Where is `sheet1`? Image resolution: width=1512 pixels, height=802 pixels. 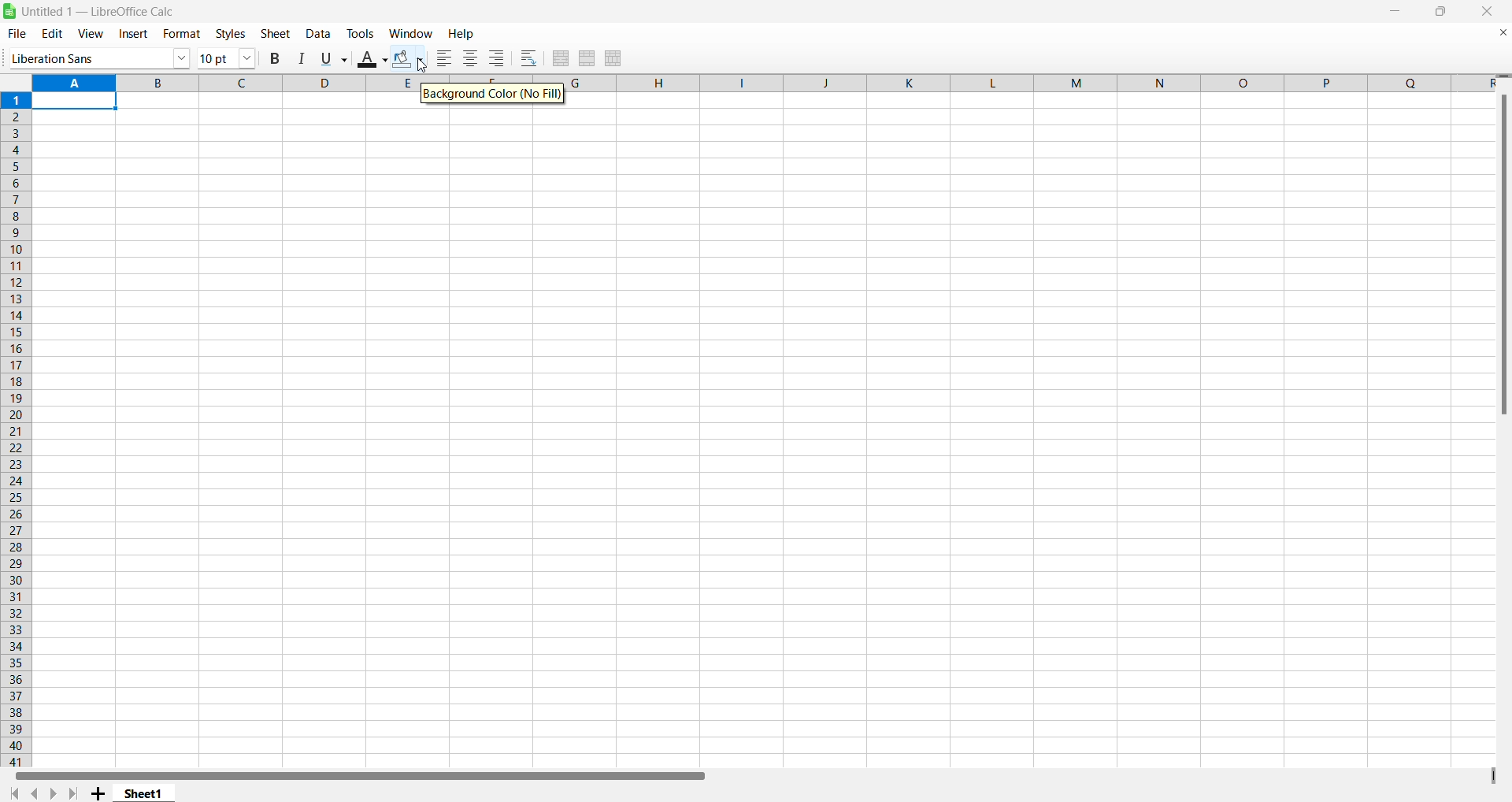 sheet1 is located at coordinates (146, 794).